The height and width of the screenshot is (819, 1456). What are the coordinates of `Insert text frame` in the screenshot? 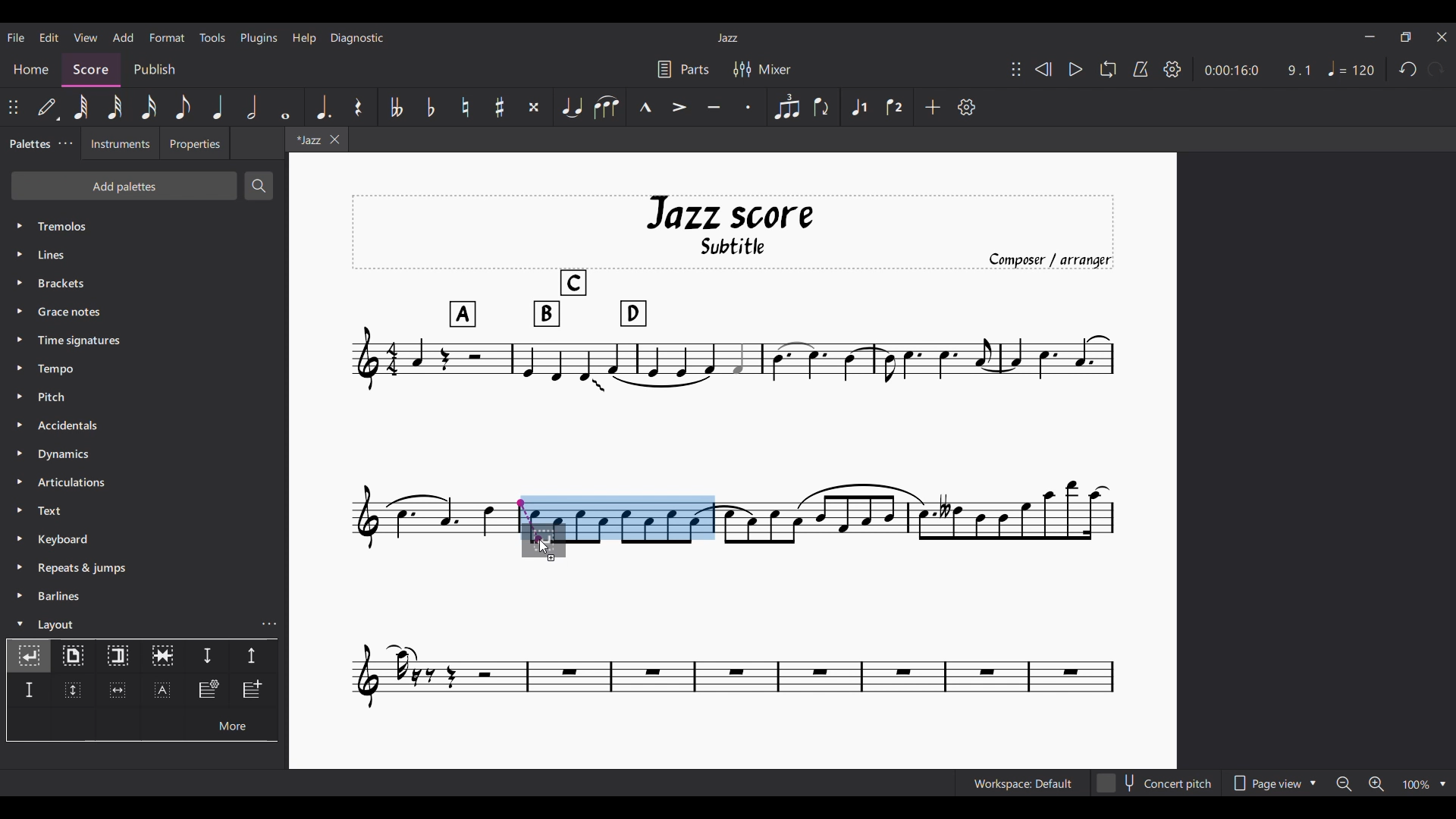 It's located at (162, 690).